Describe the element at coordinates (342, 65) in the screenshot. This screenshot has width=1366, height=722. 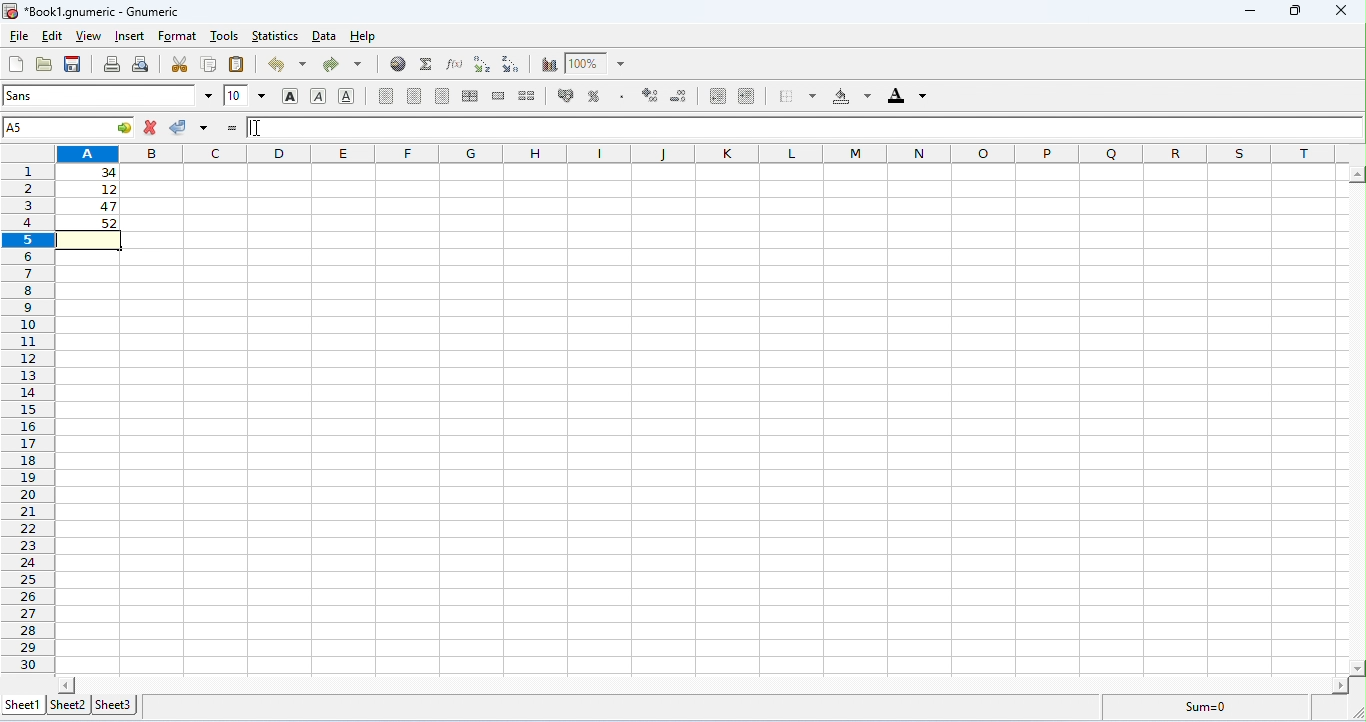
I see `redo` at that location.